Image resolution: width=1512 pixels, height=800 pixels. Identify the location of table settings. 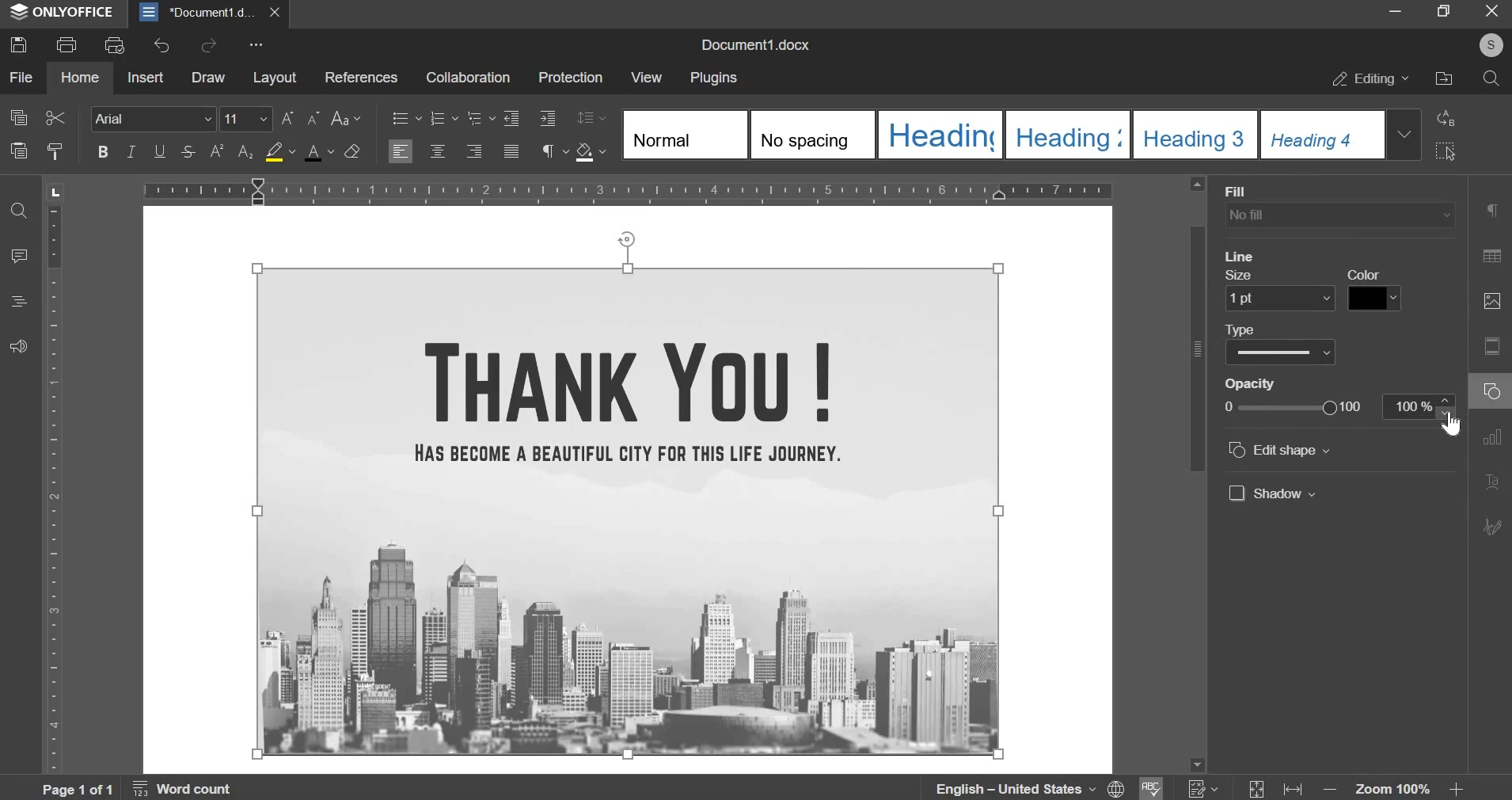
(1493, 256).